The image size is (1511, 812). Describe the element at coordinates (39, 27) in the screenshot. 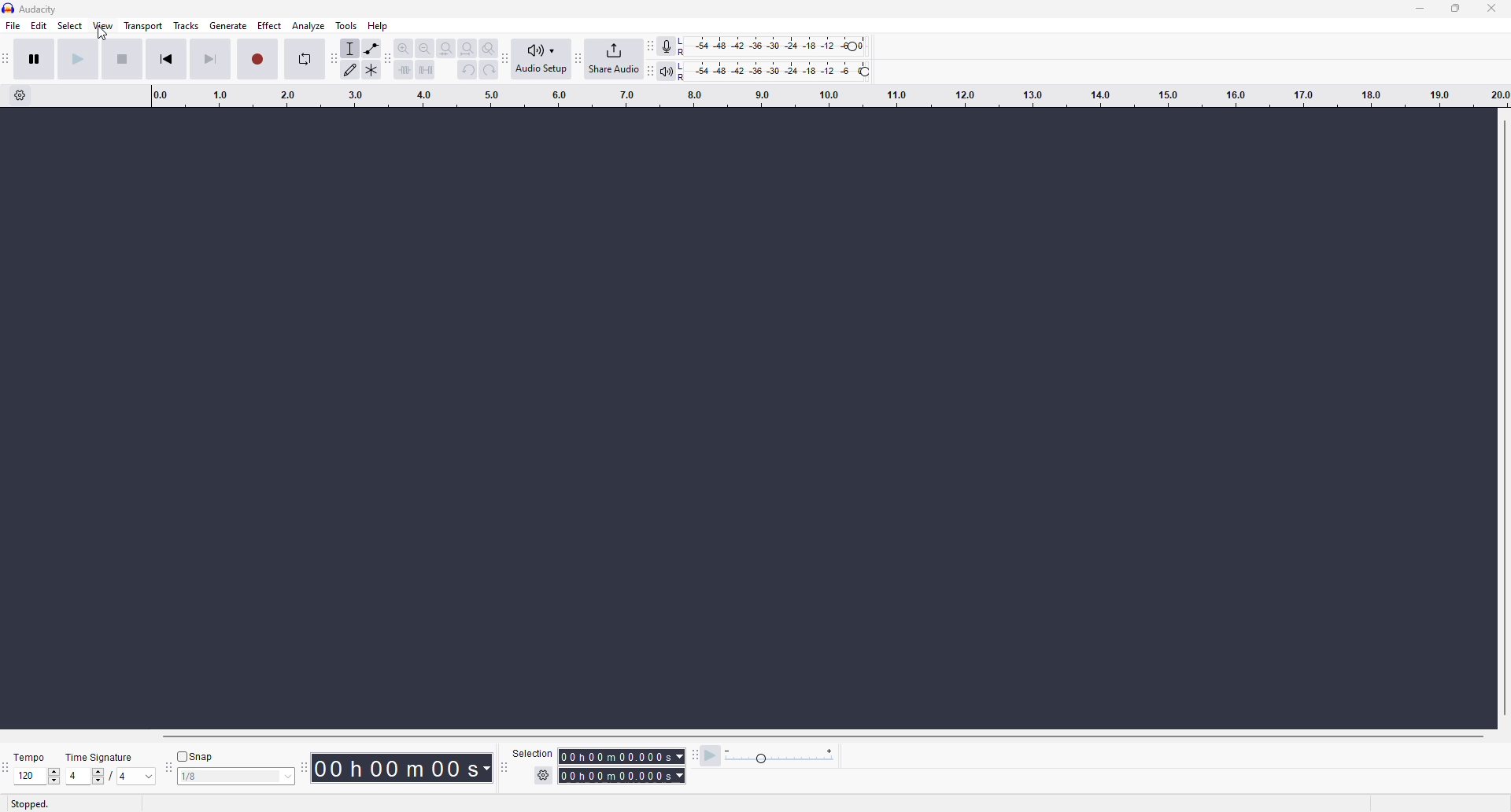

I see `edit` at that location.